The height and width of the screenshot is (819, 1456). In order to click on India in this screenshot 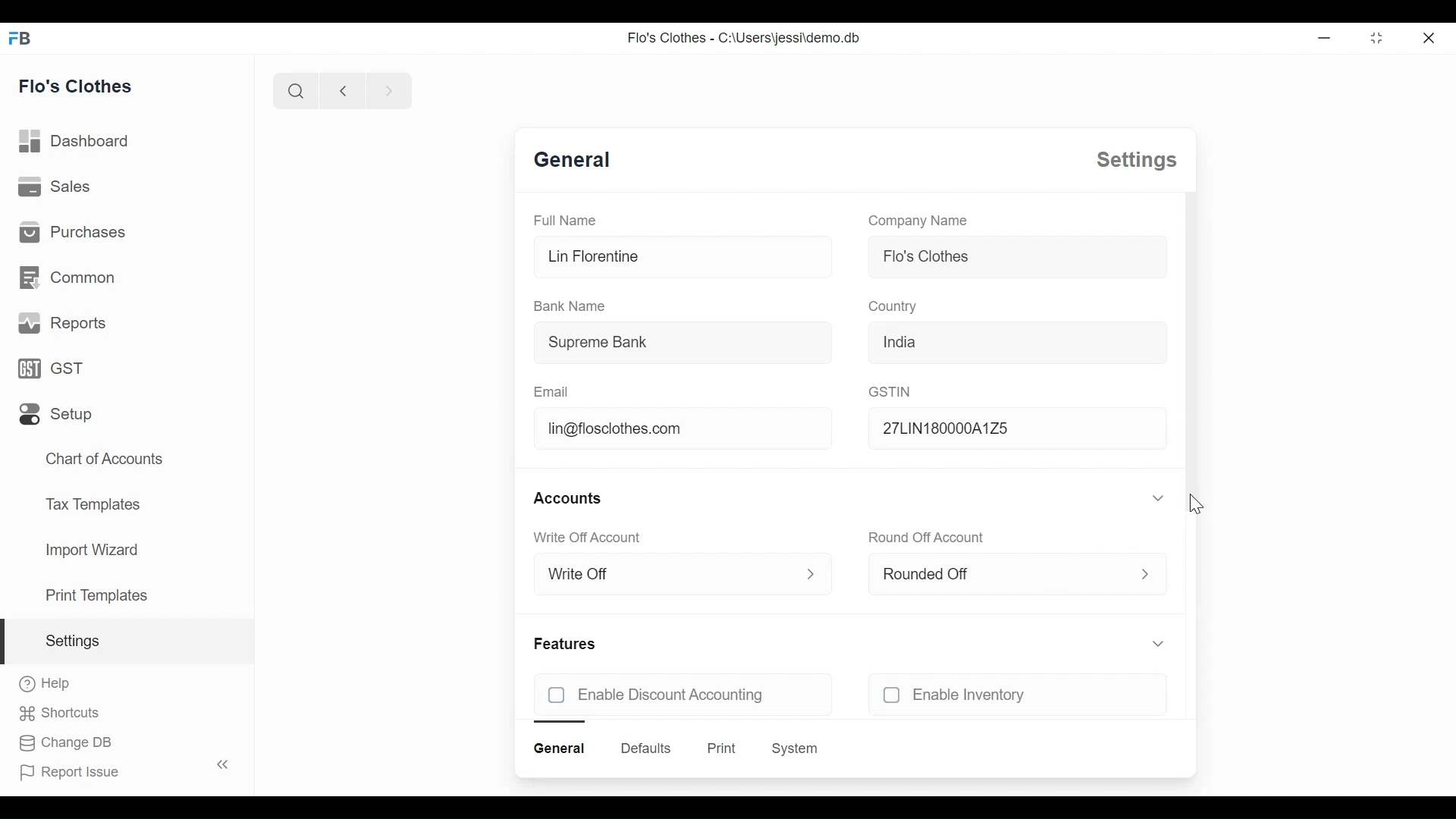, I will do `click(1015, 340)`.